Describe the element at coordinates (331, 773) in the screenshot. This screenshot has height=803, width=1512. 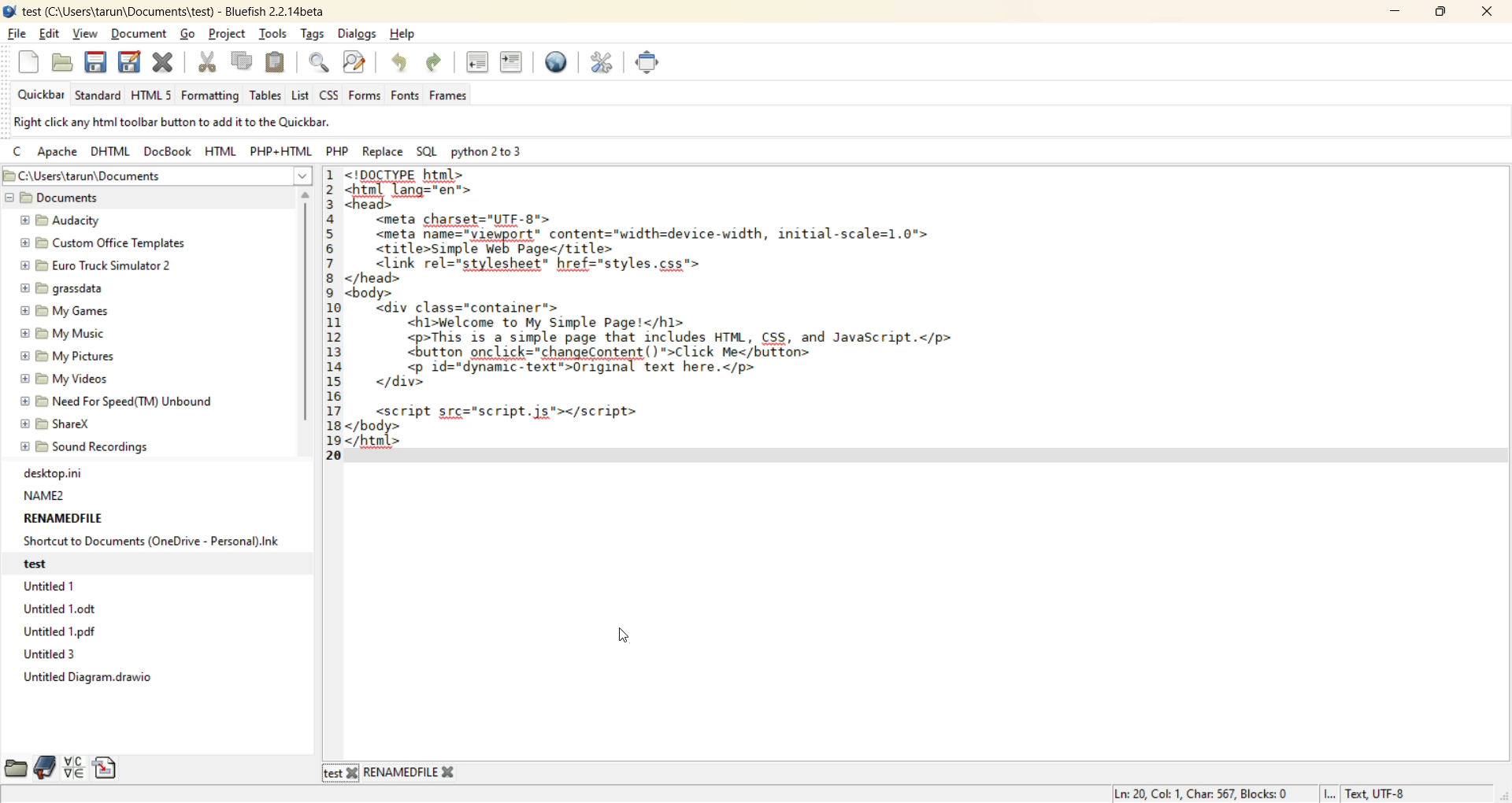
I see `test` at that location.